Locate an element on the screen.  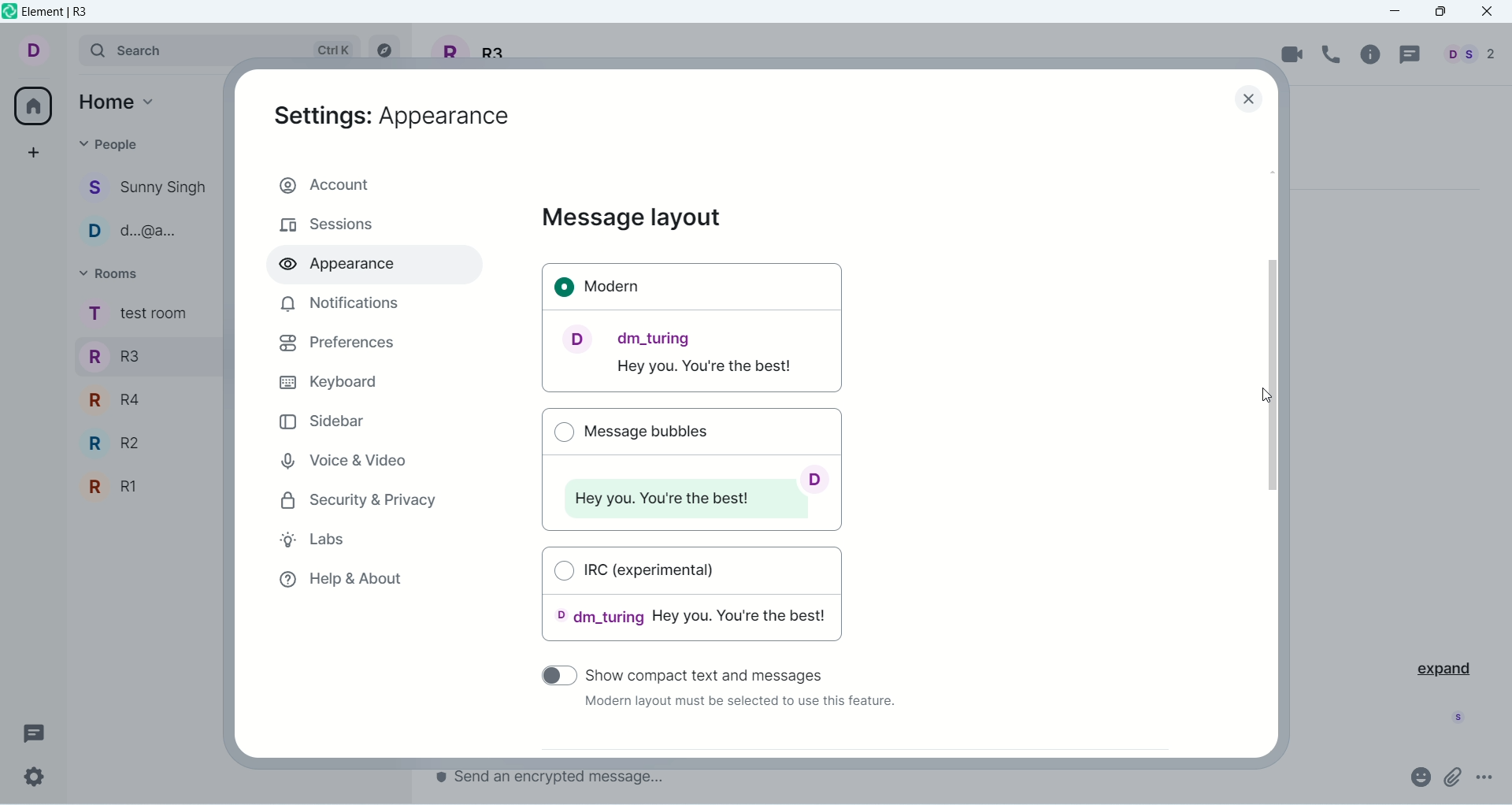
maximize is located at coordinates (1440, 13).